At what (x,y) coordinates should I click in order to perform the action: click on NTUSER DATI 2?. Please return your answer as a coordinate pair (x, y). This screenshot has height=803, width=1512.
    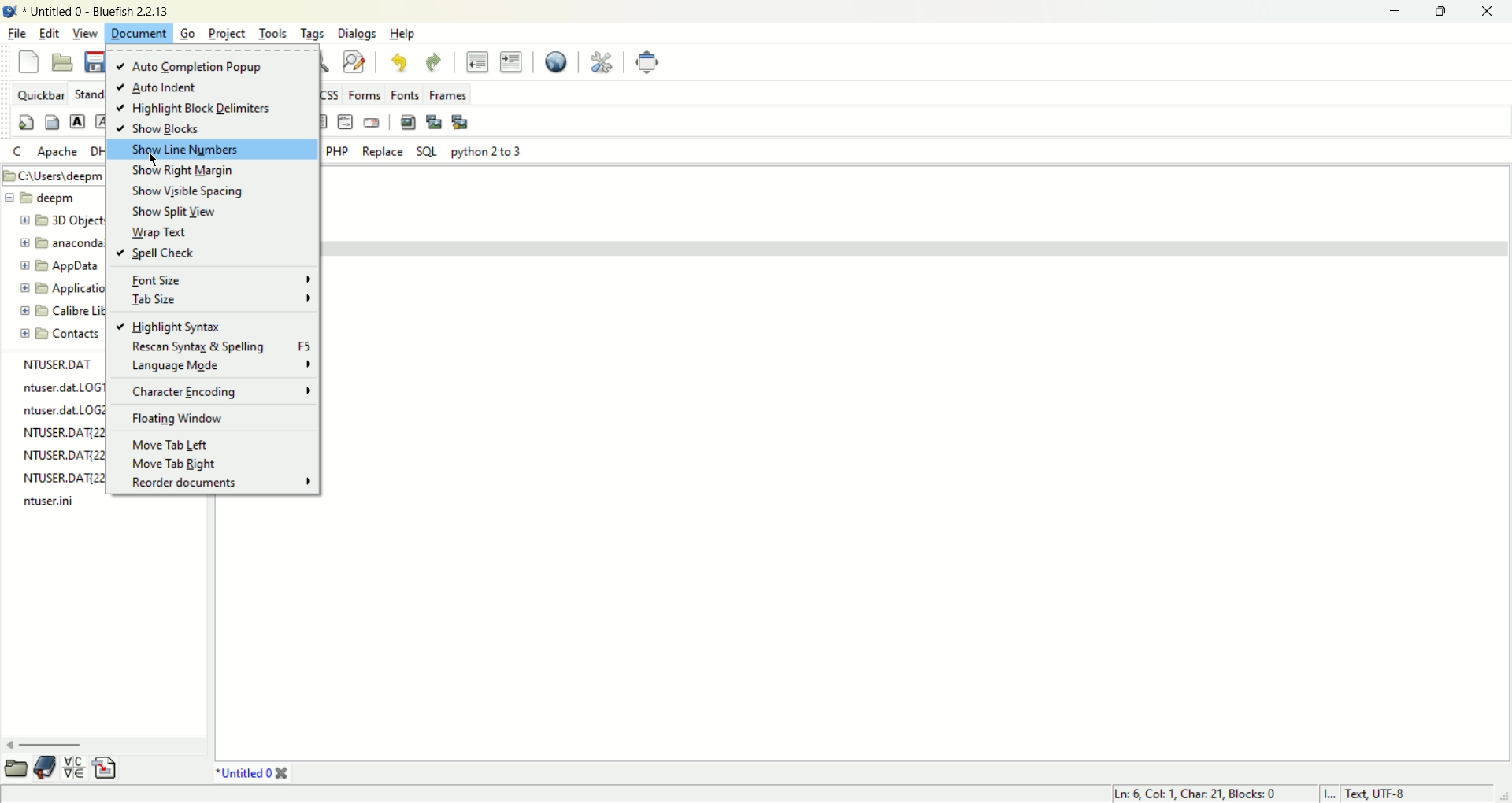
    Looking at the image, I should click on (64, 453).